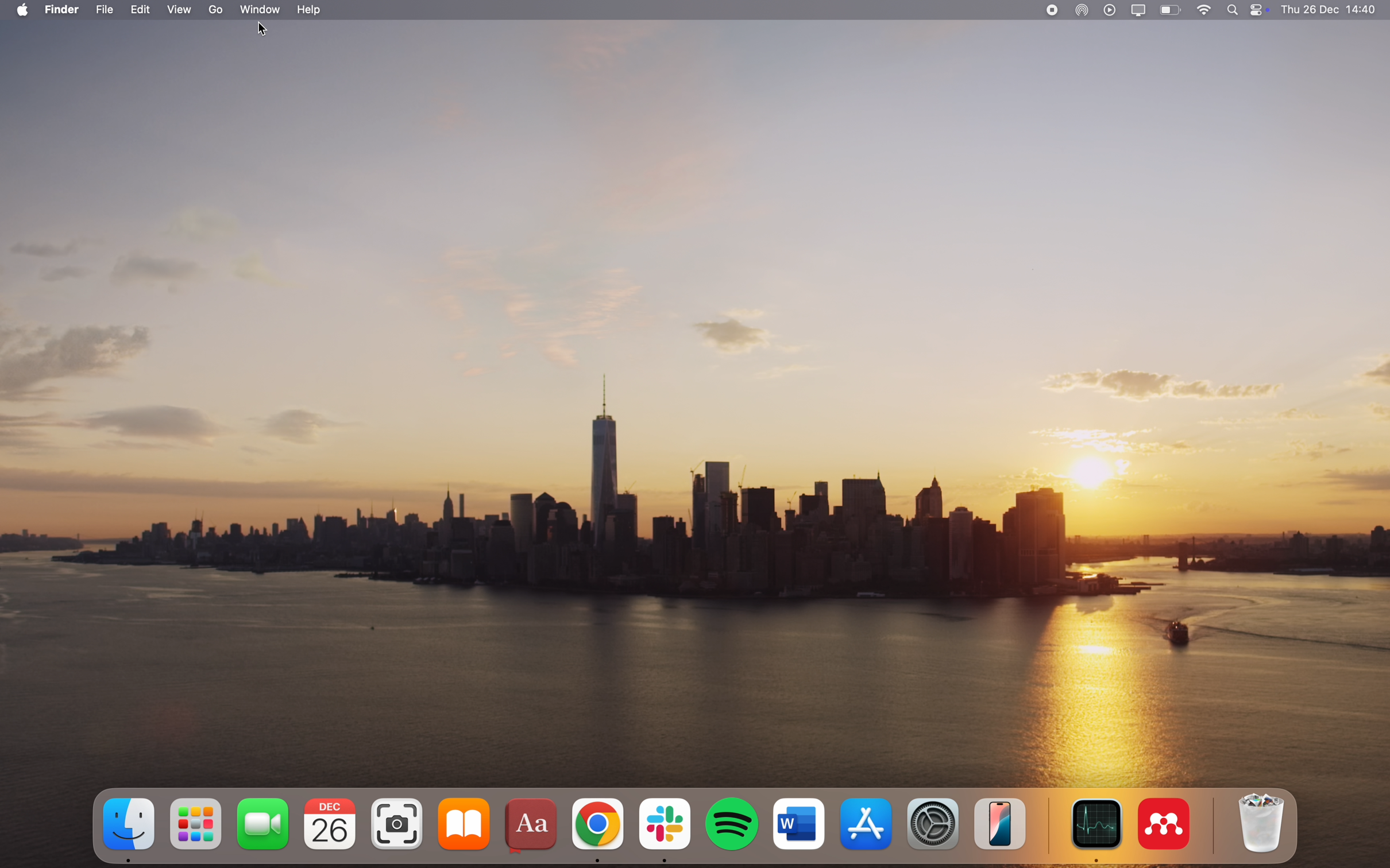 Image resolution: width=1390 pixels, height=868 pixels. I want to click on finder, so click(125, 822).